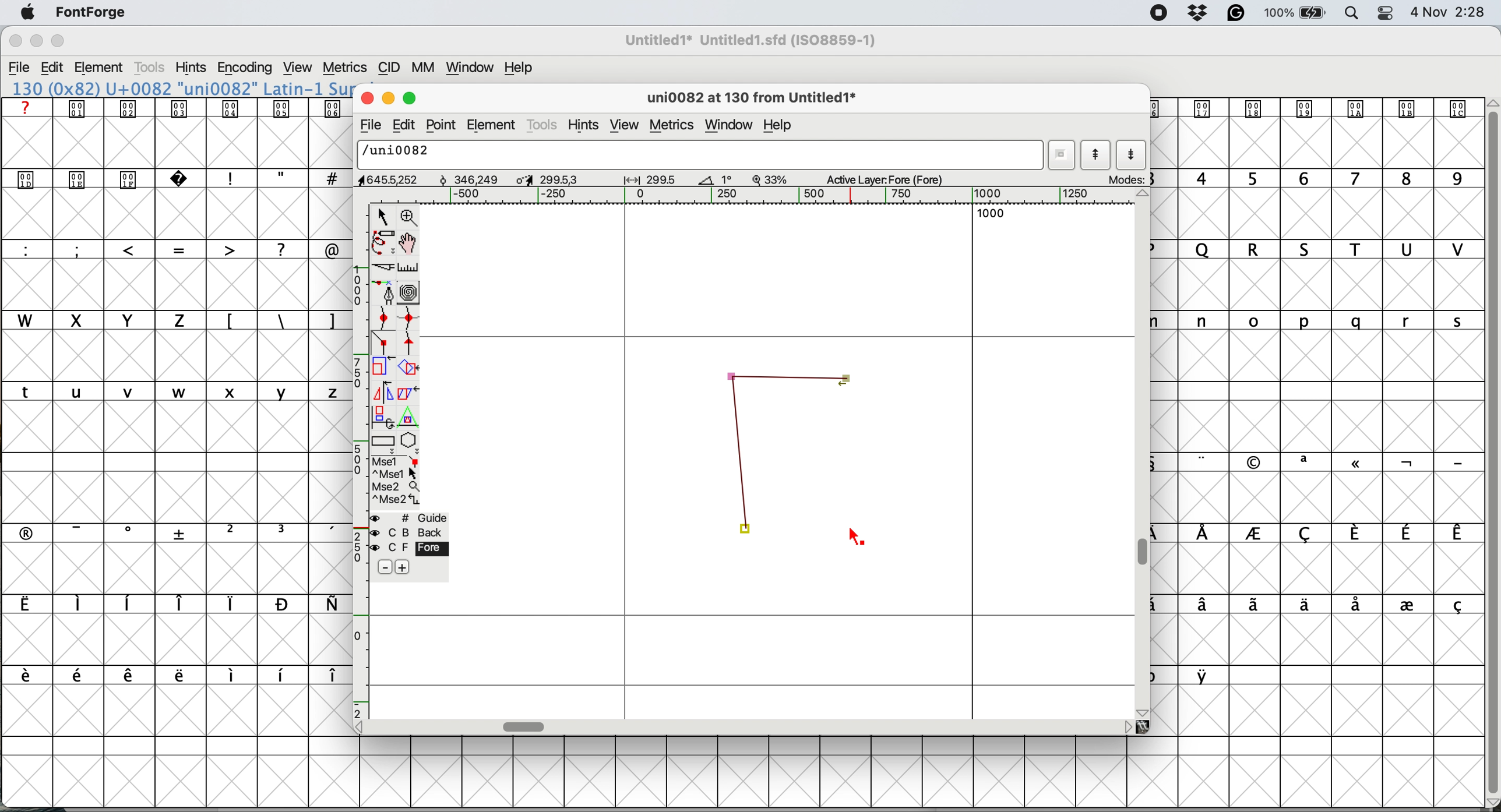 The image size is (1501, 812). I want to click on view, so click(625, 126).